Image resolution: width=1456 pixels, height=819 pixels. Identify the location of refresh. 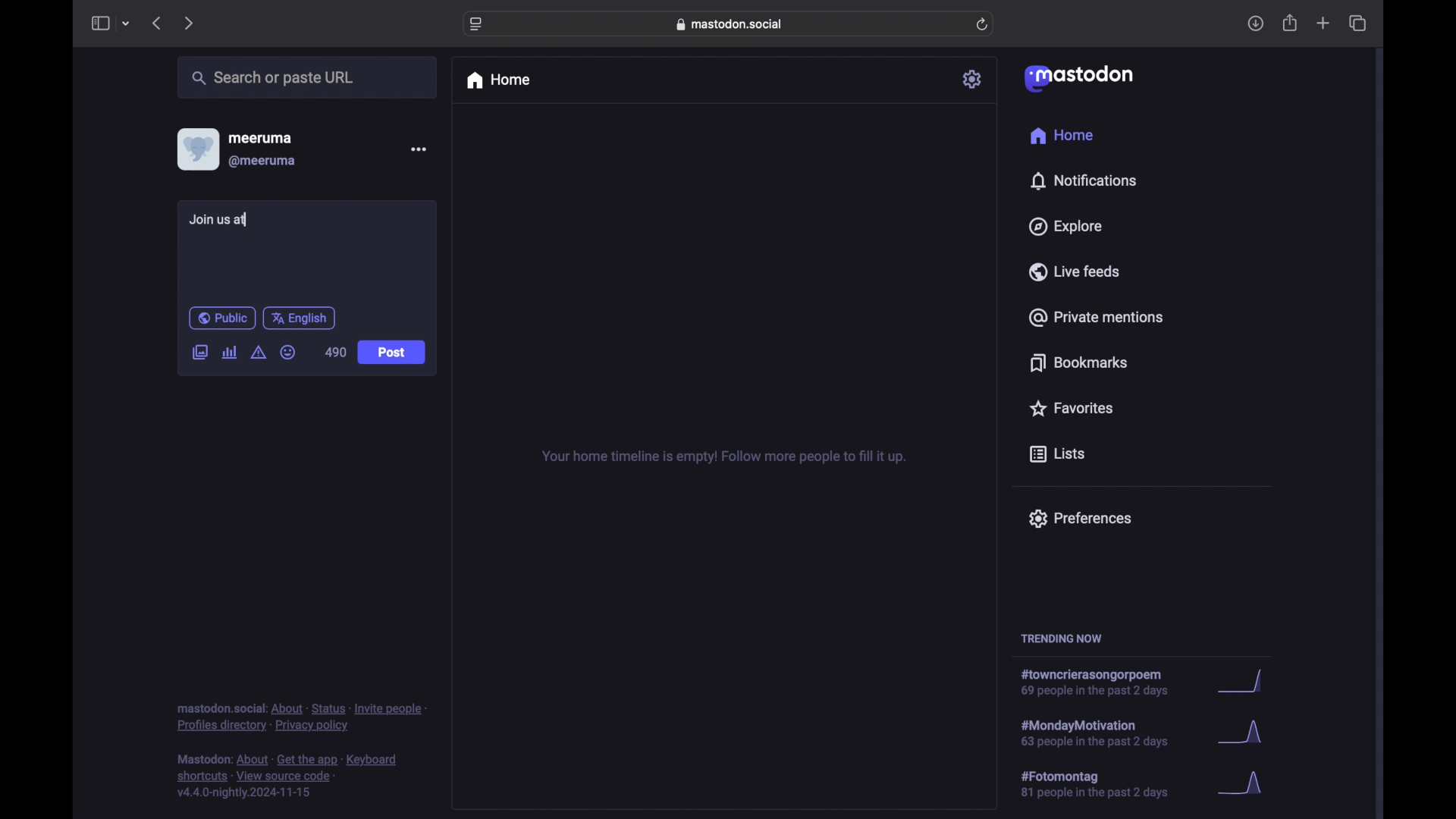
(984, 25).